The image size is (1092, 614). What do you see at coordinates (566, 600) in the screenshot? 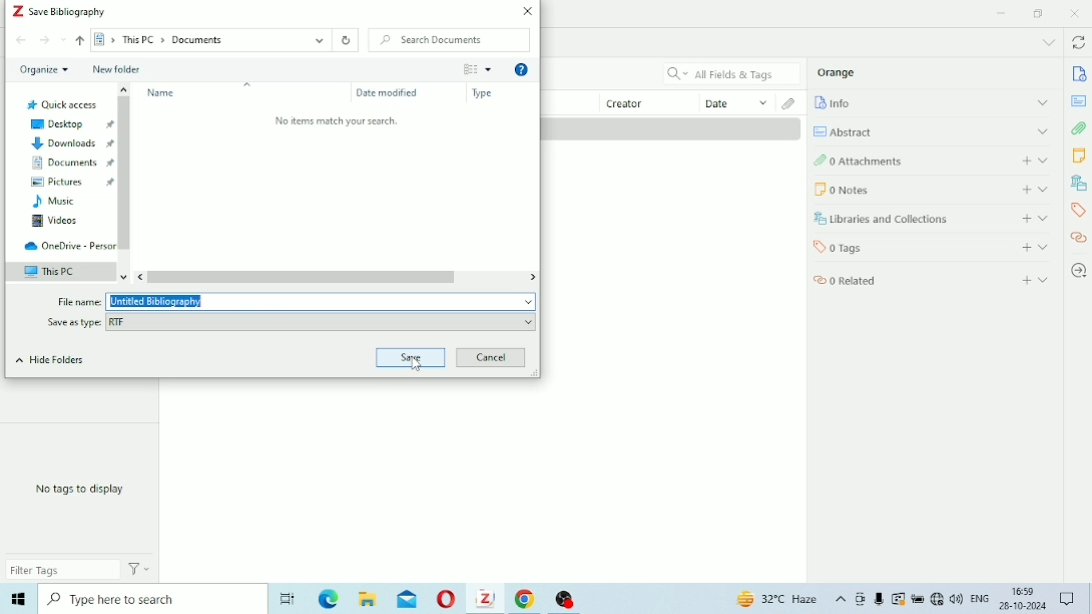
I see `OBS Studio` at bounding box center [566, 600].